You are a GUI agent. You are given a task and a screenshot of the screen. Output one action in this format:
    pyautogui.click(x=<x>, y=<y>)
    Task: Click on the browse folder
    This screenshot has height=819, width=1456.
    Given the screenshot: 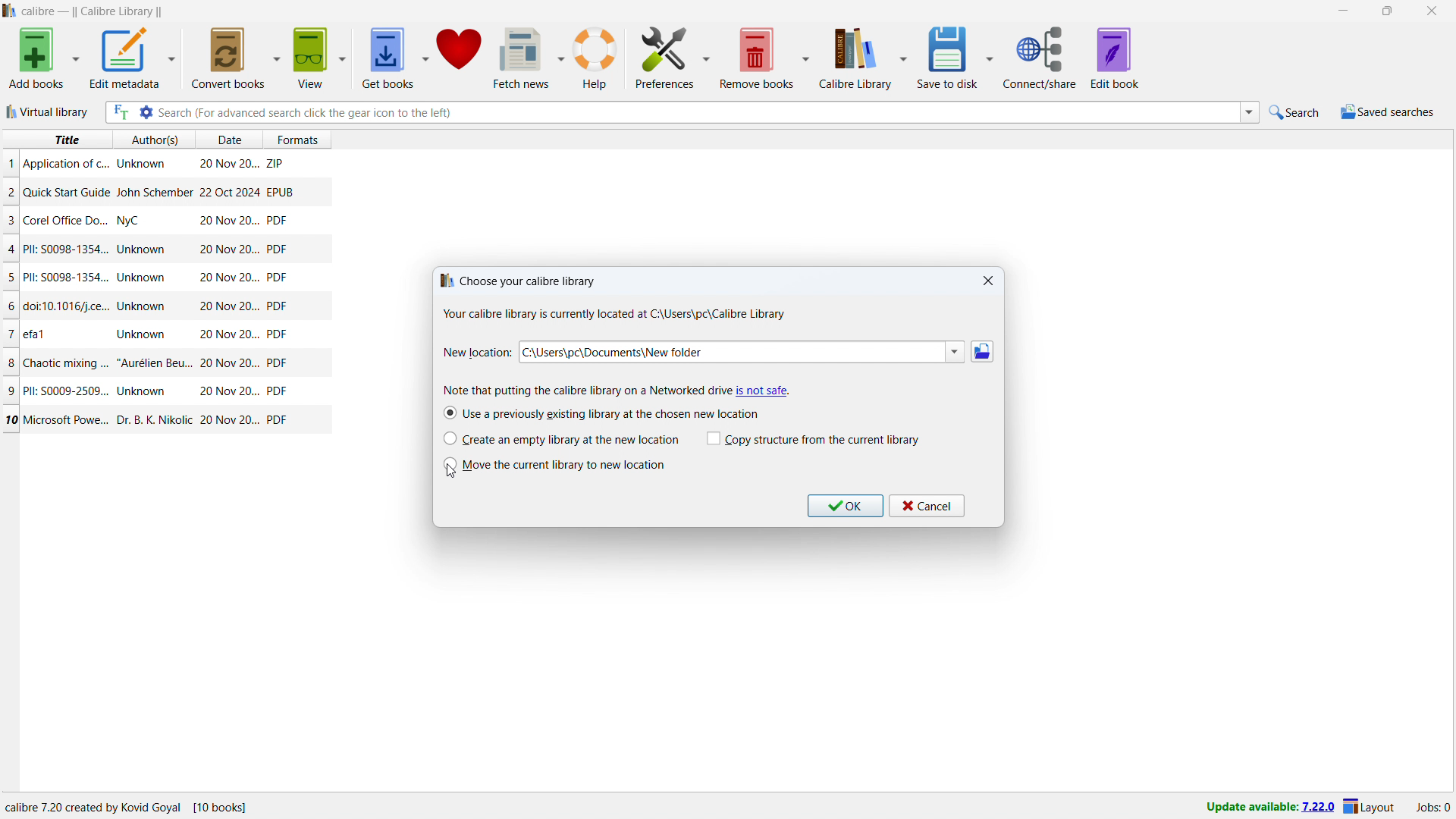 What is the action you would take?
    pyautogui.click(x=982, y=352)
    